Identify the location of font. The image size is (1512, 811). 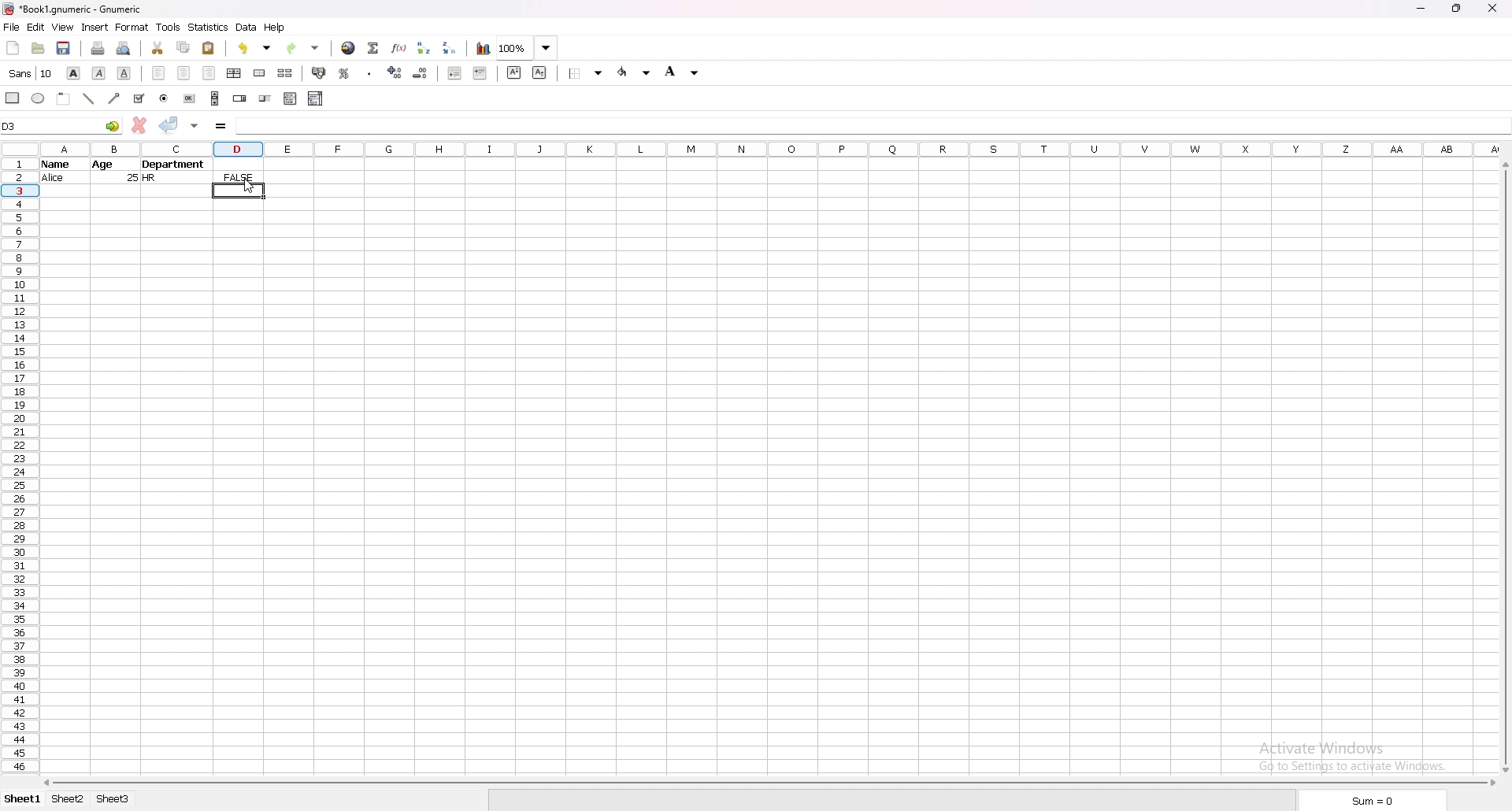
(30, 73).